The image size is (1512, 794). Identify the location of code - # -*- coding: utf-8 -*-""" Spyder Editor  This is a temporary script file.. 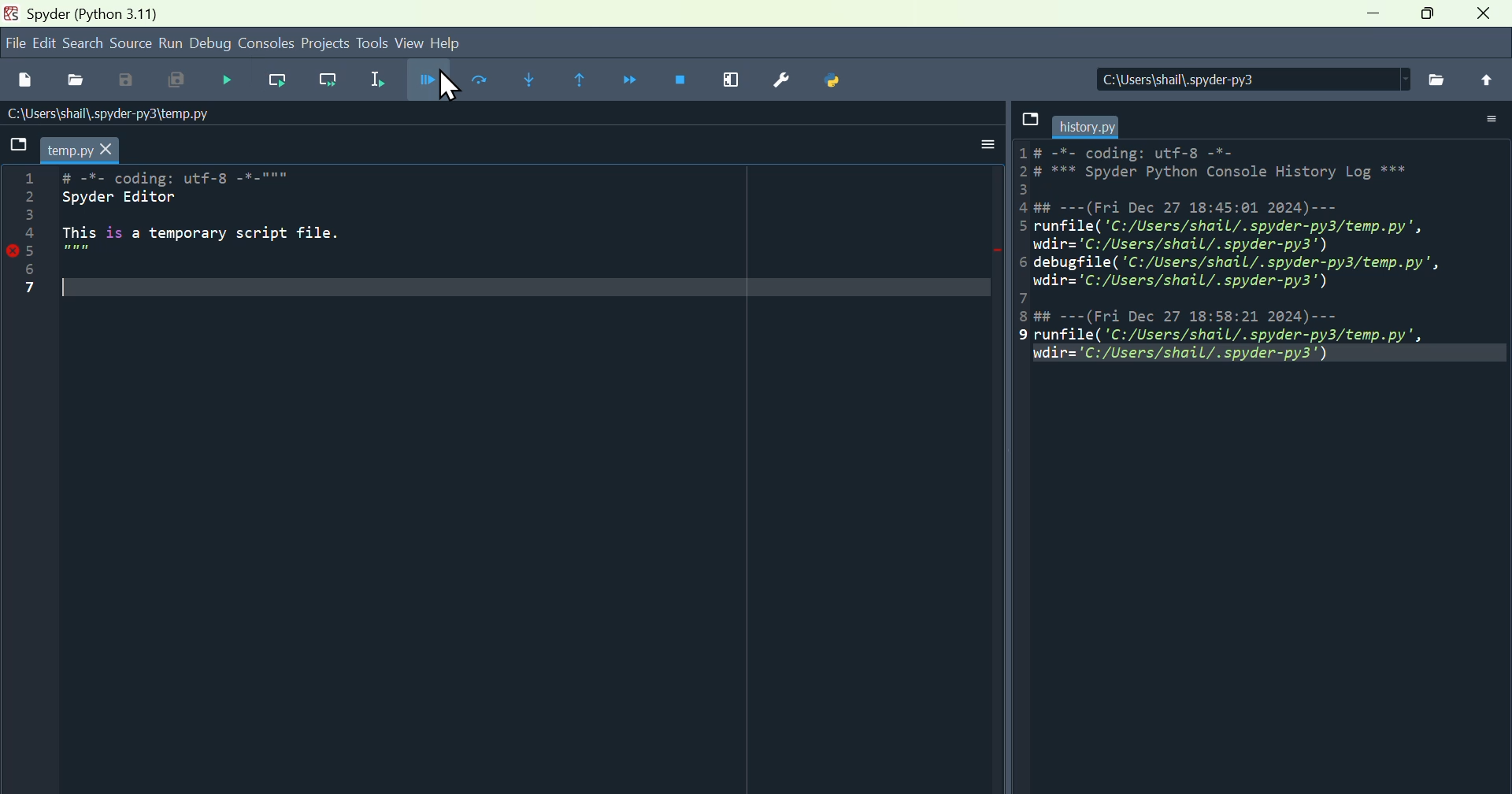
(237, 241).